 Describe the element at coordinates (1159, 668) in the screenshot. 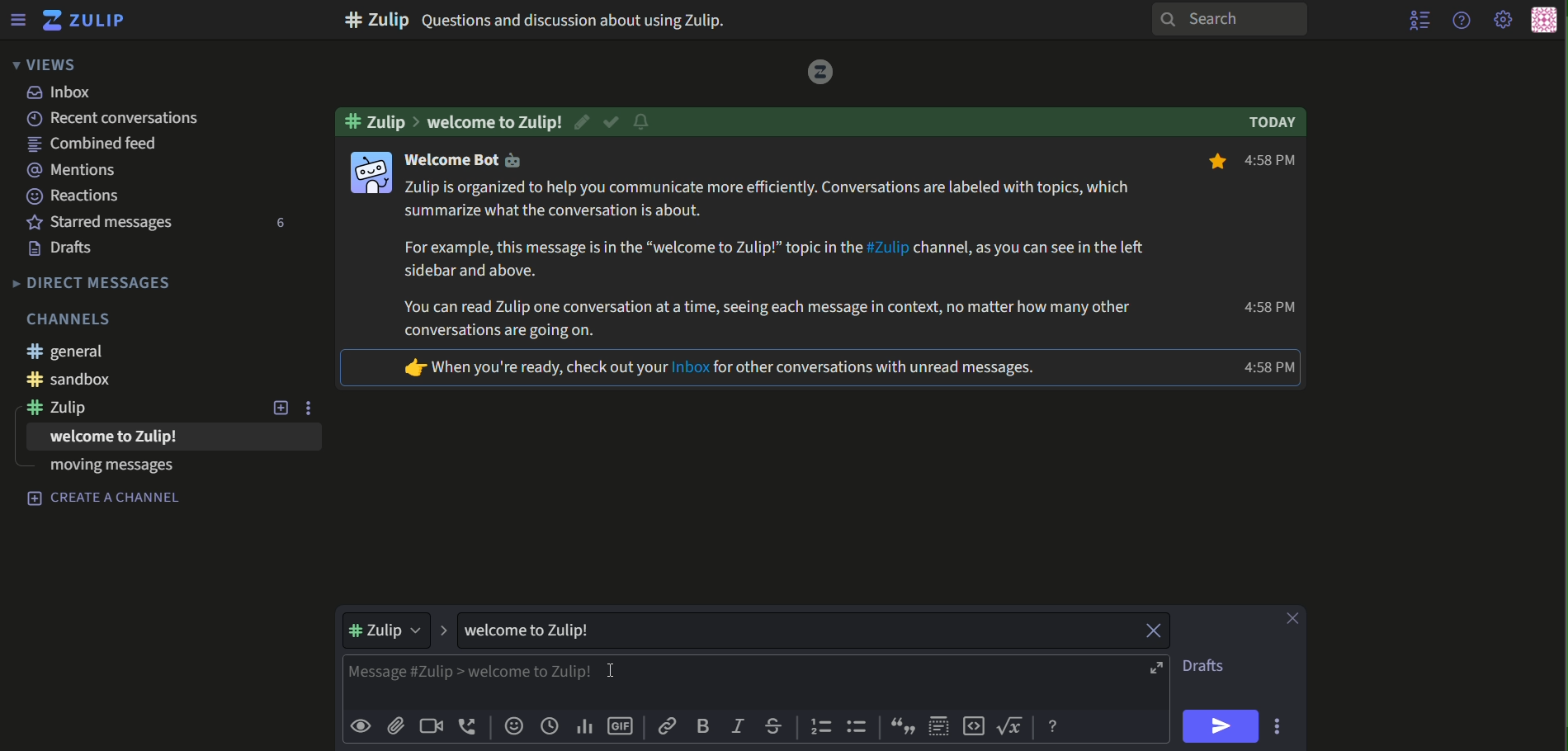

I see `fullscreen` at that location.